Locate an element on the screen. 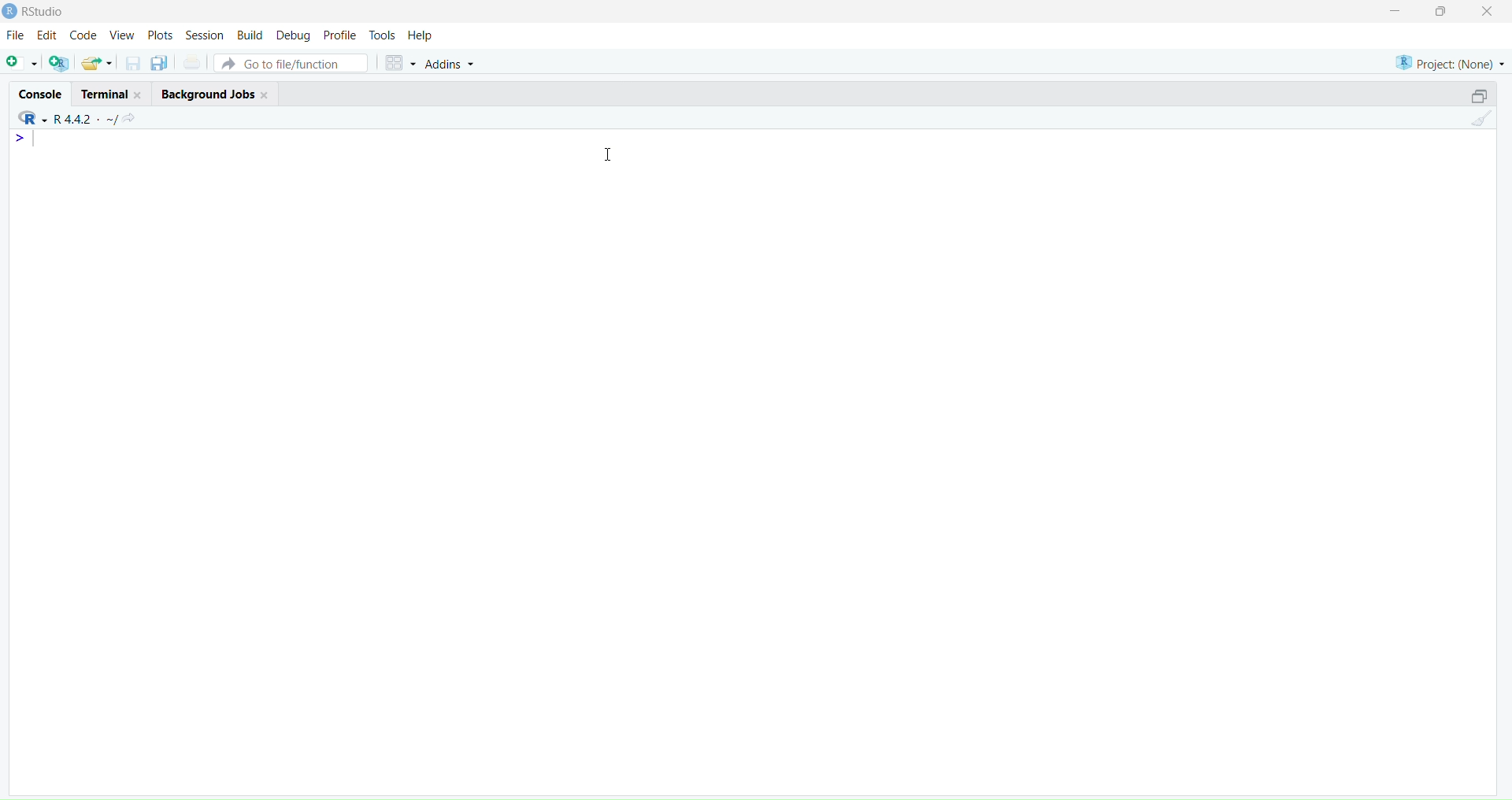 This screenshot has height=800, width=1512. Terminal is located at coordinates (108, 93).